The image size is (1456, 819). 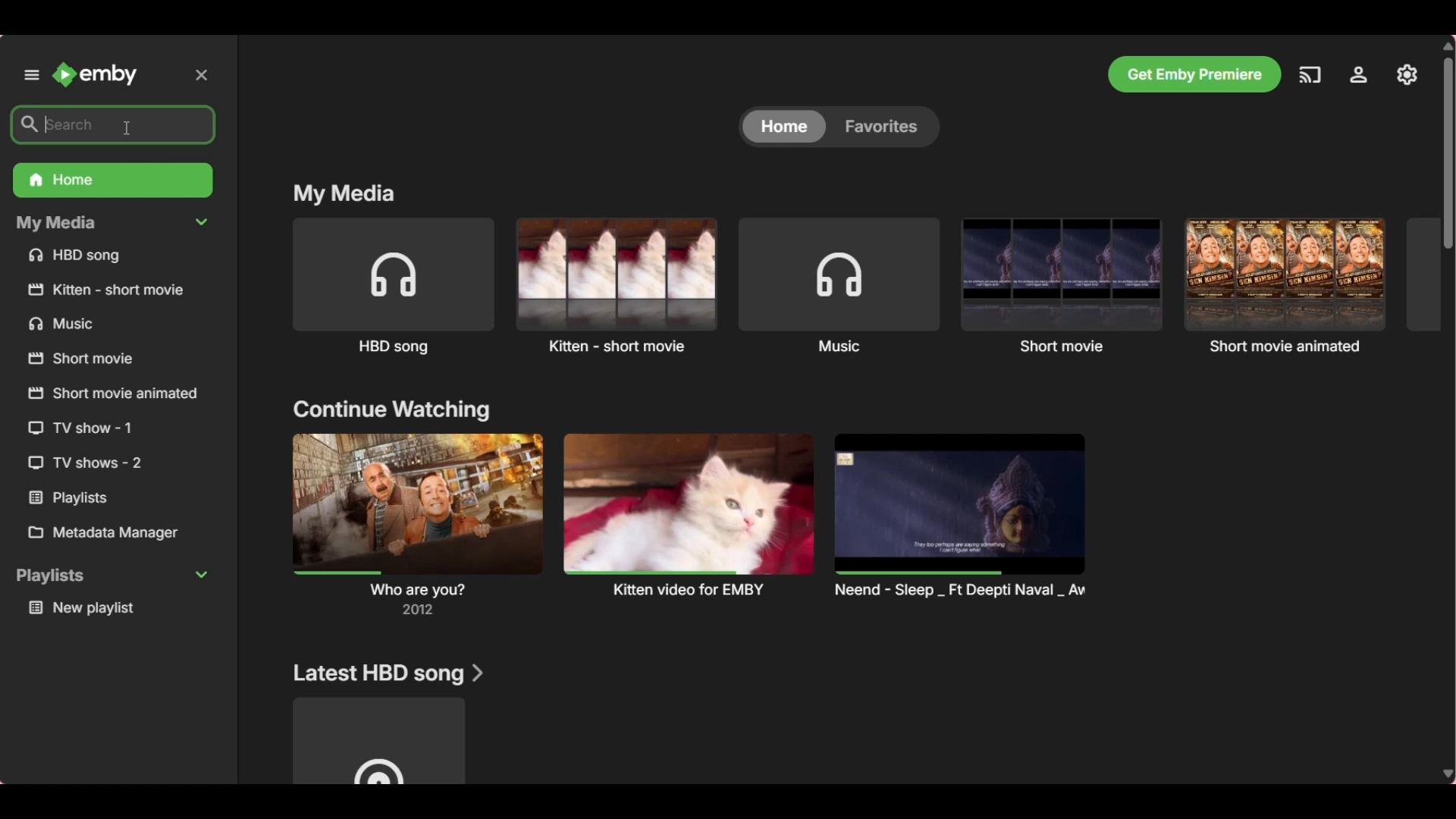 I want to click on Click to go to home, so click(x=94, y=74).